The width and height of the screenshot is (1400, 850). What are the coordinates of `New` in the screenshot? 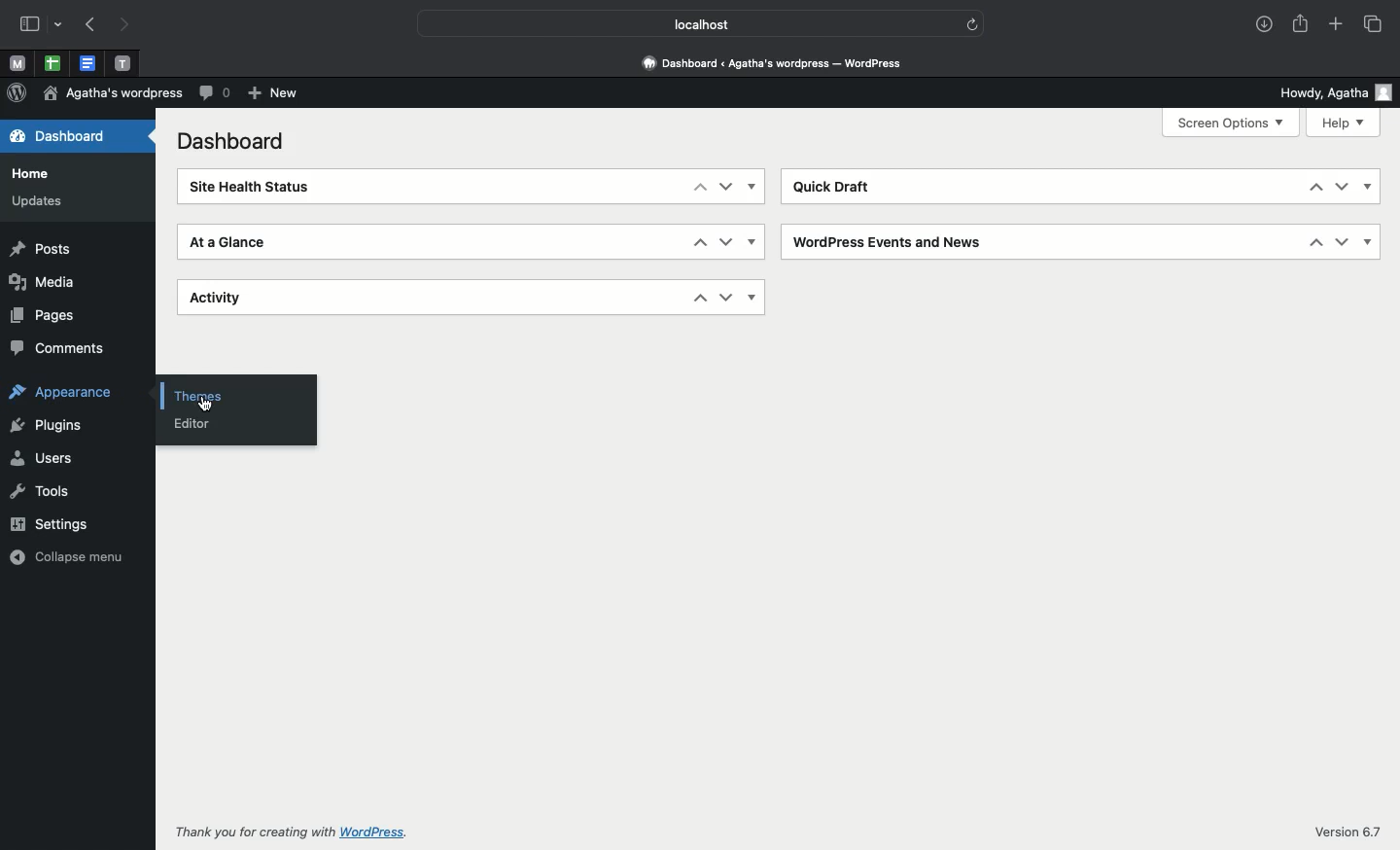 It's located at (274, 94).